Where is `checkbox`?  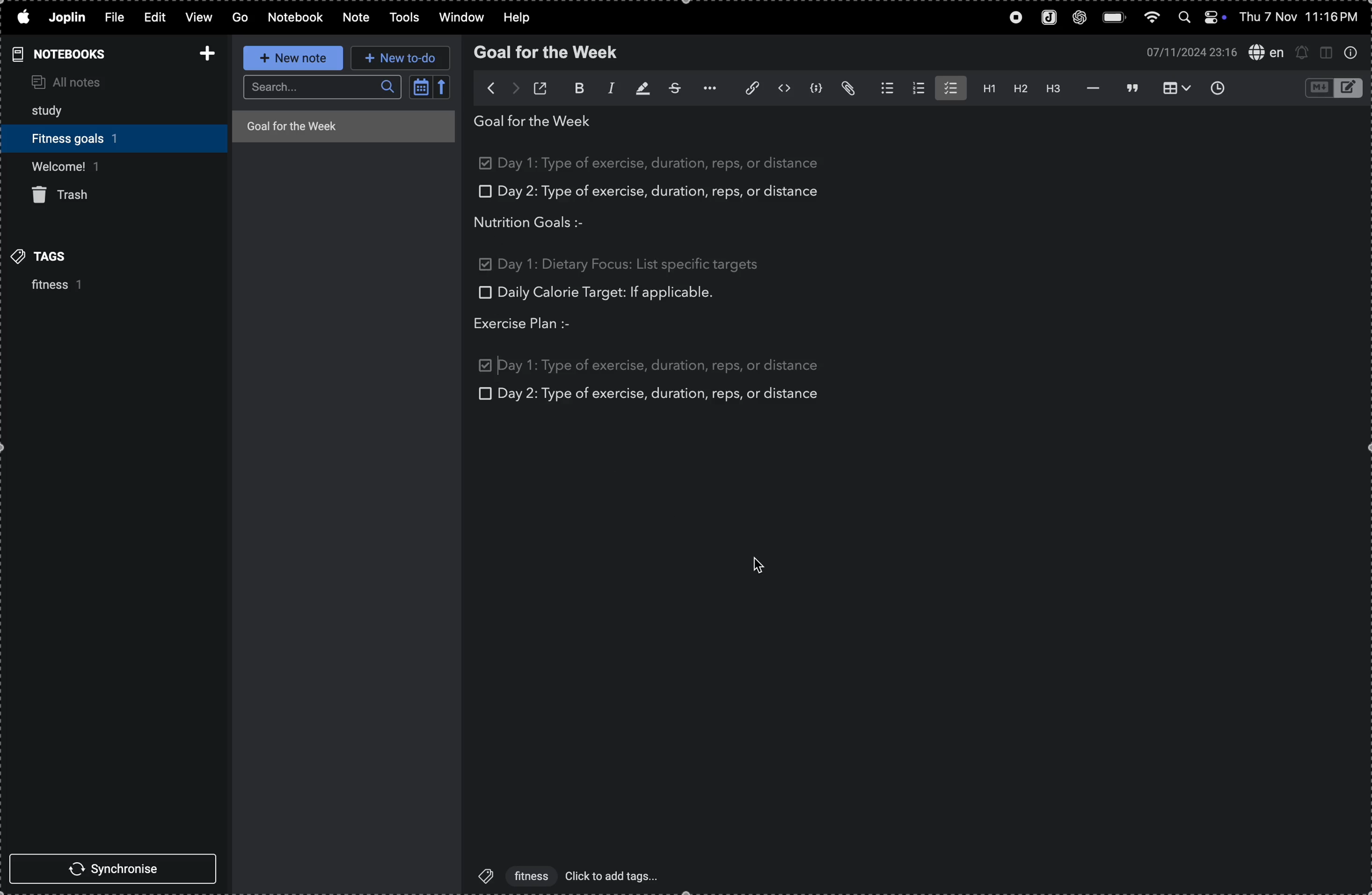 checkbox is located at coordinates (484, 393).